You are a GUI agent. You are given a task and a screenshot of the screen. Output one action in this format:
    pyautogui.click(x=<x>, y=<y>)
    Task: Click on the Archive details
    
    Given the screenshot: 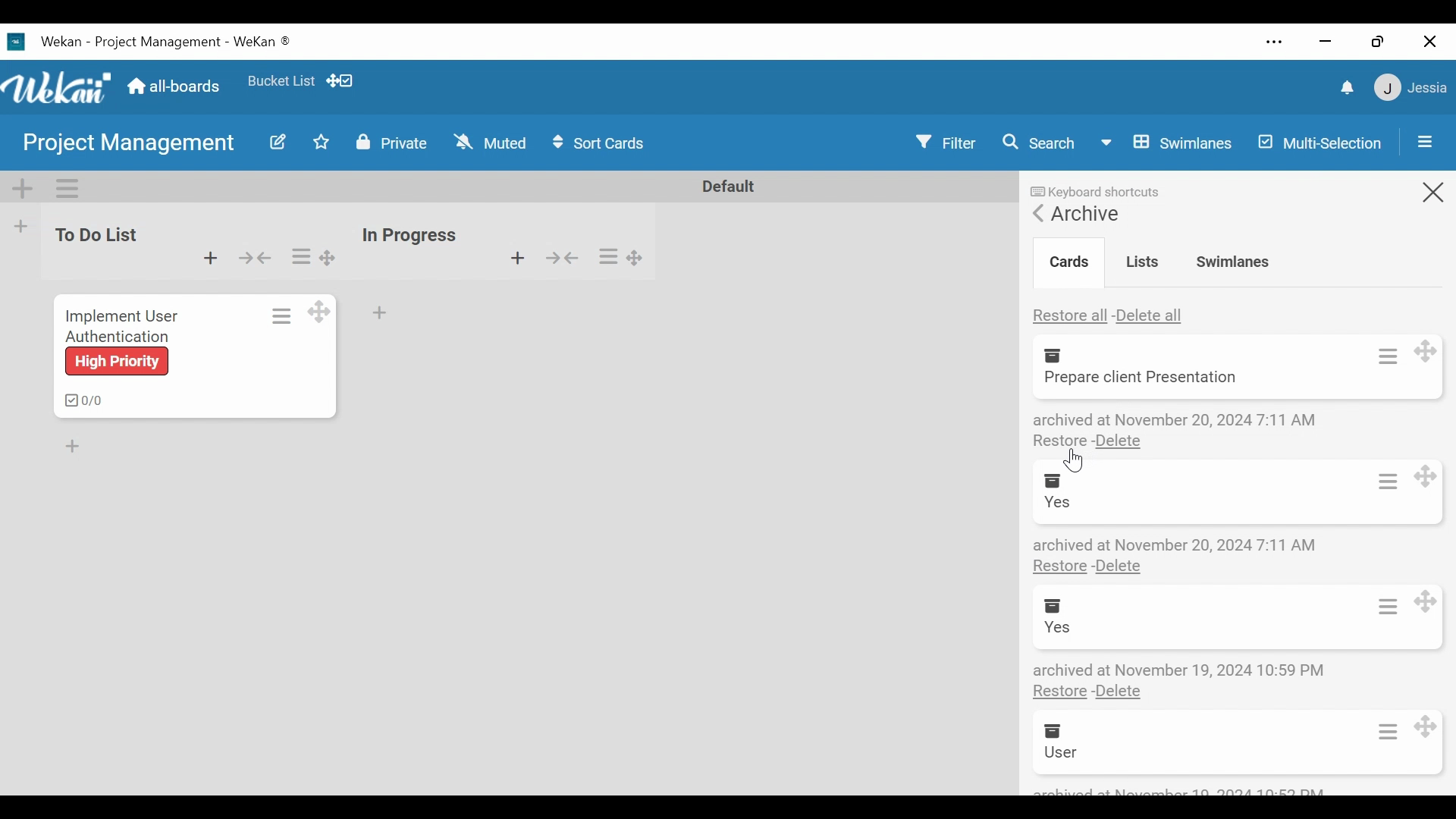 What is the action you would take?
    pyautogui.click(x=1179, y=670)
    